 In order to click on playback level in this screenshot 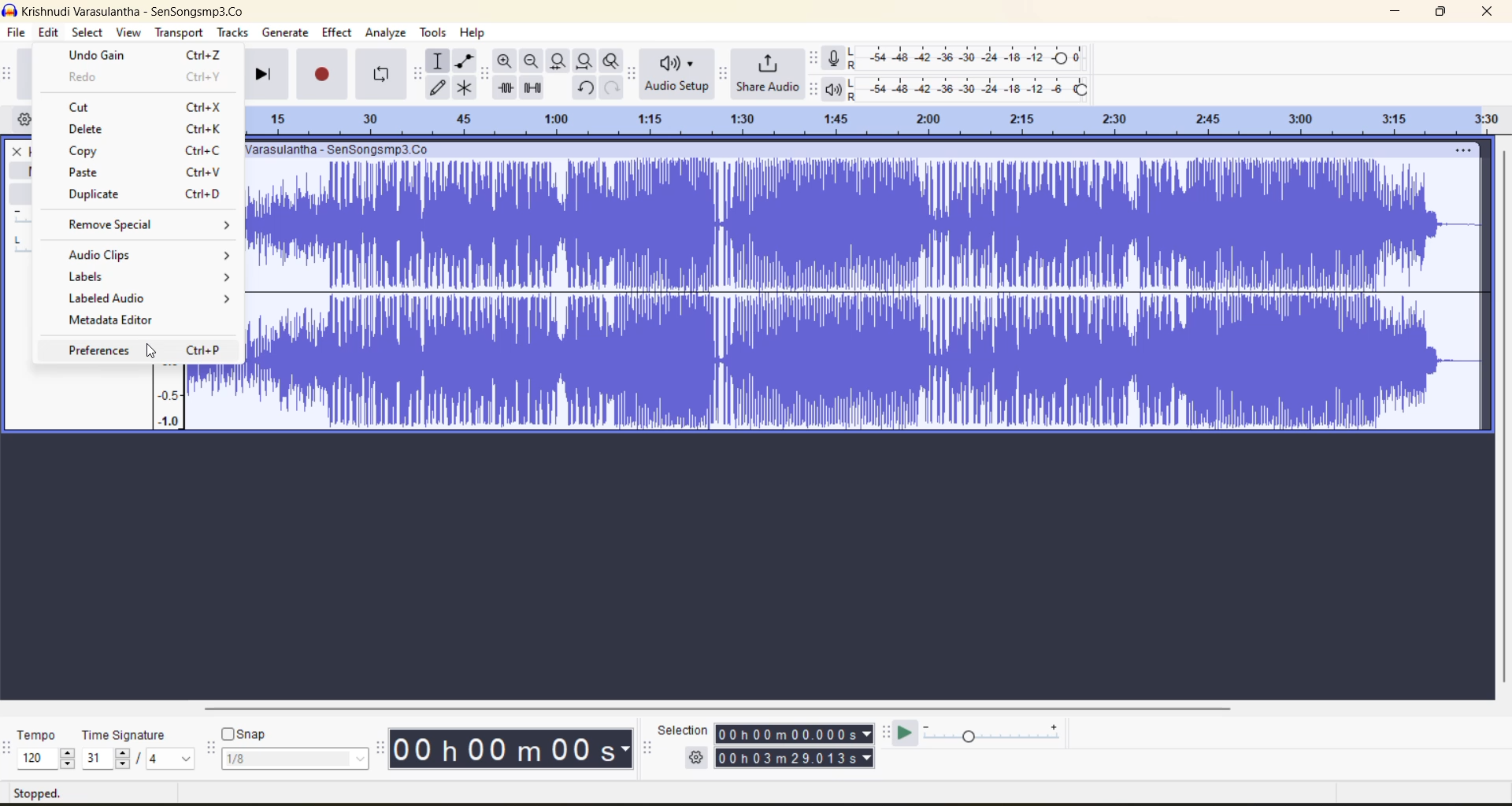, I will do `click(973, 87)`.